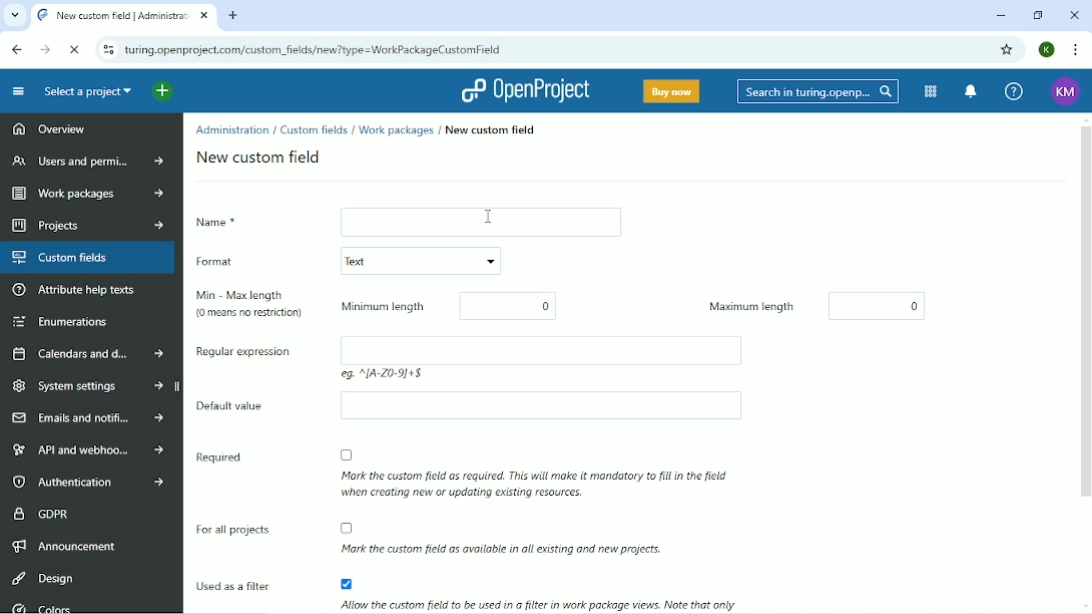 This screenshot has width=1092, height=614. Describe the element at coordinates (267, 157) in the screenshot. I see `New custom field` at that location.